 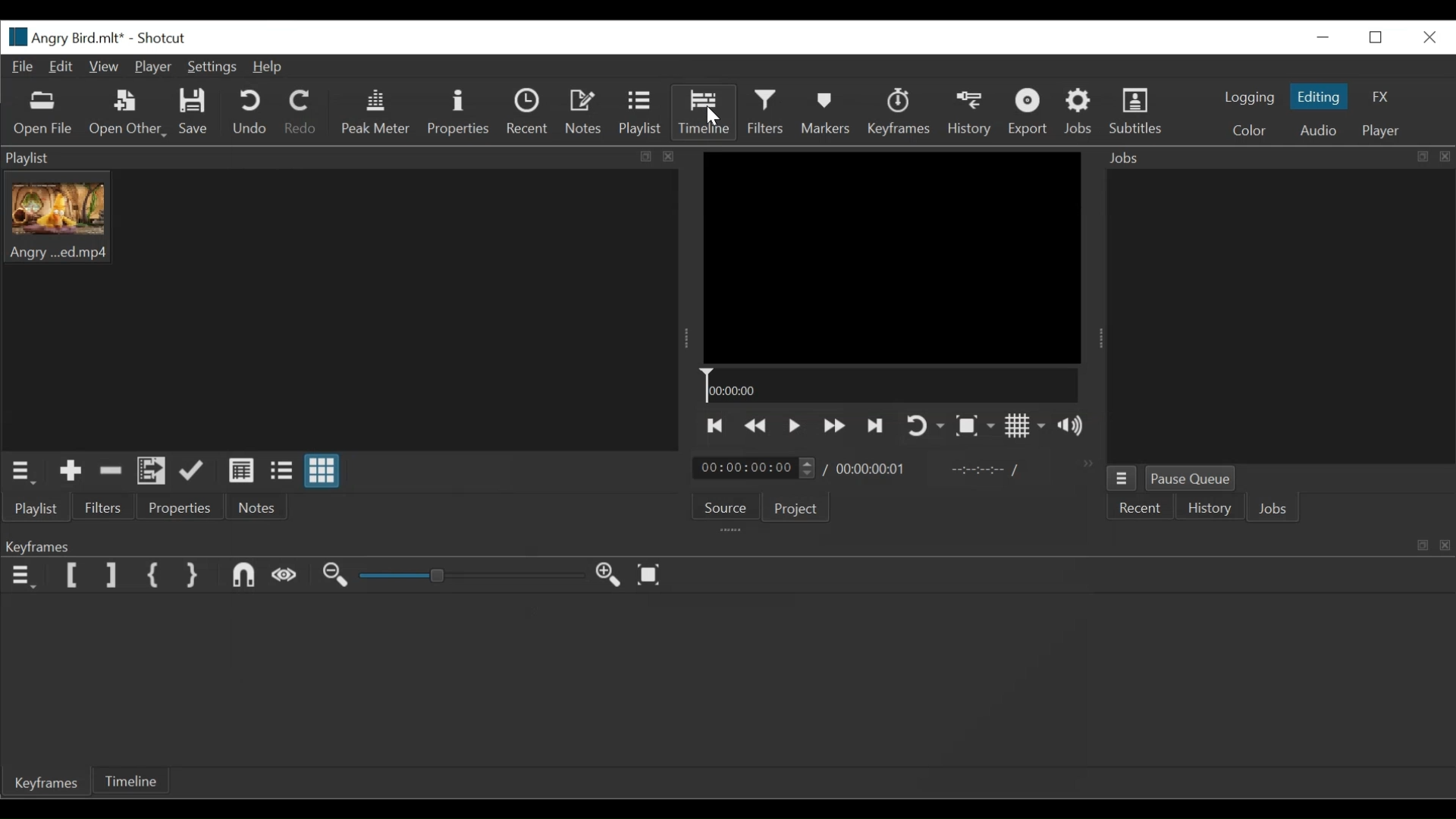 What do you see at coordinates (889, 386) in the screenshot?
I see `Timeline` at bounding box center [889, 386].